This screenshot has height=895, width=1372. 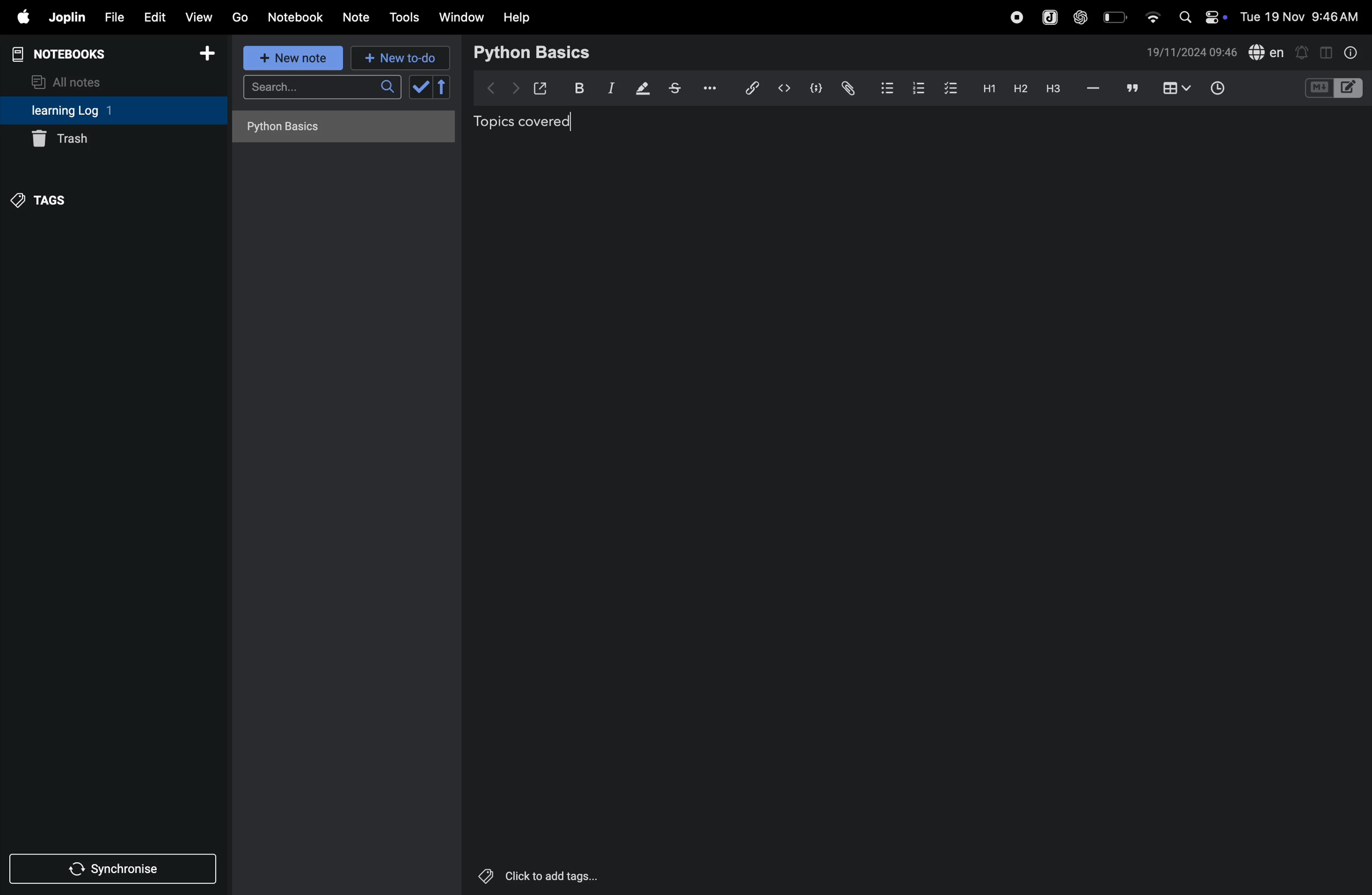 What do you see at coordinates (239, 17) in the screenshot?
I see `go` at bounding box center [239, 17].